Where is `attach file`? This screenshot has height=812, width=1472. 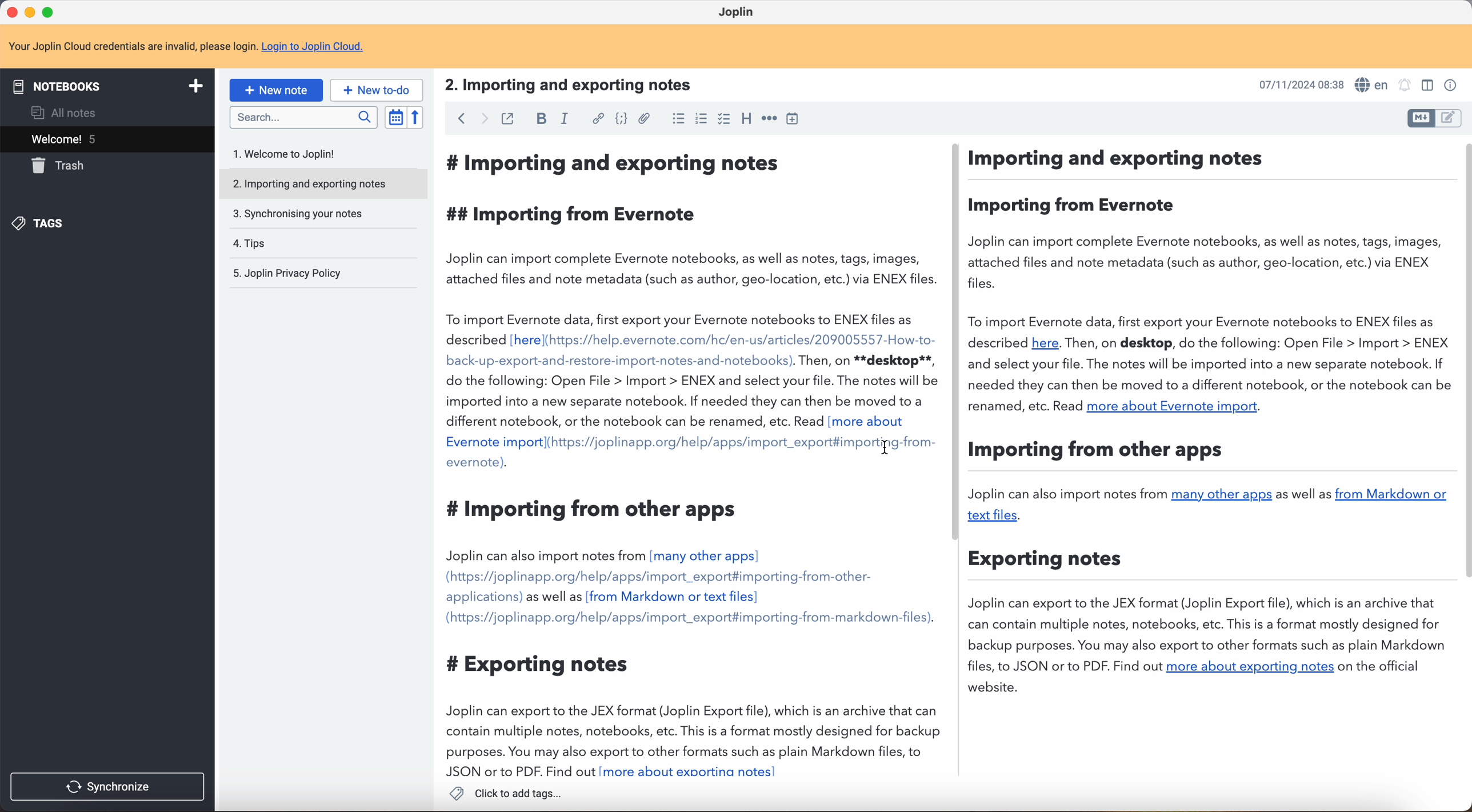 attach file is located at coordinates (644, 118).